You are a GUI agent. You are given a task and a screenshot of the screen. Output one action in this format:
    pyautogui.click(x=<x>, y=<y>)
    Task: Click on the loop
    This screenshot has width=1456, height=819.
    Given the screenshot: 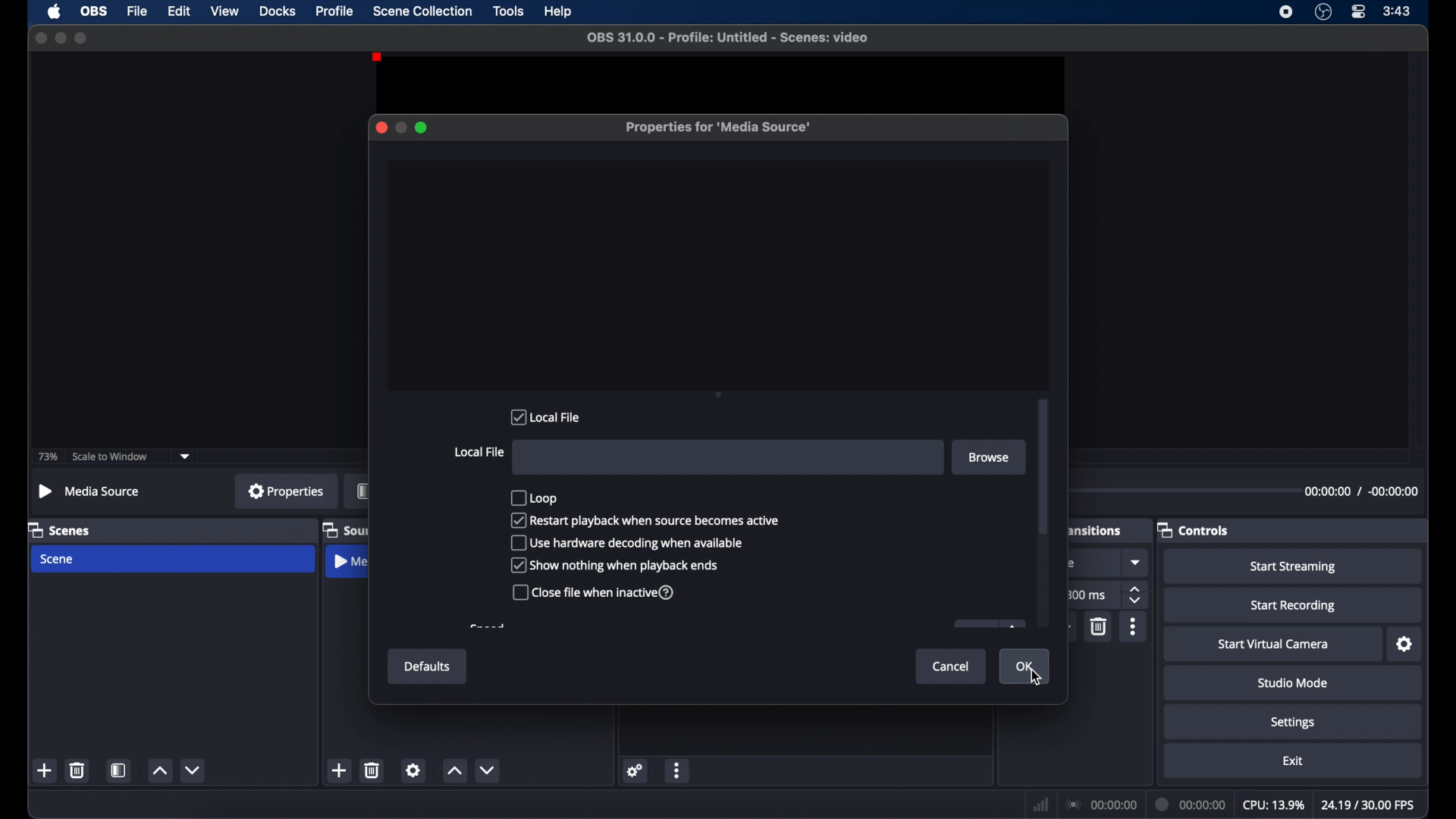 What is the action you would take?
    pyautogui.click(x=533, y=497)
    